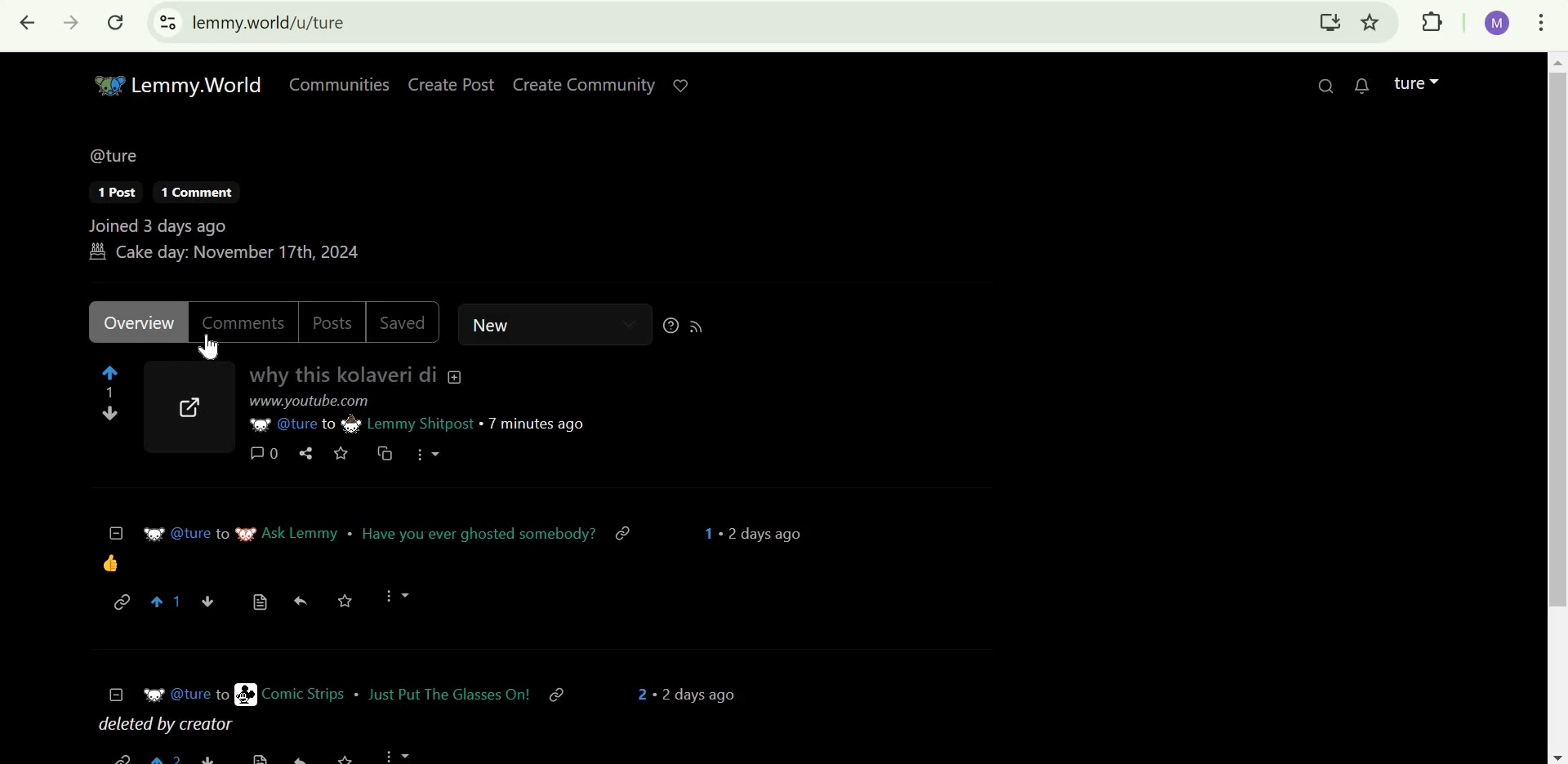 The width and height of the screenshot is (1568, 764). I want to click on community name, so click(289, 535).